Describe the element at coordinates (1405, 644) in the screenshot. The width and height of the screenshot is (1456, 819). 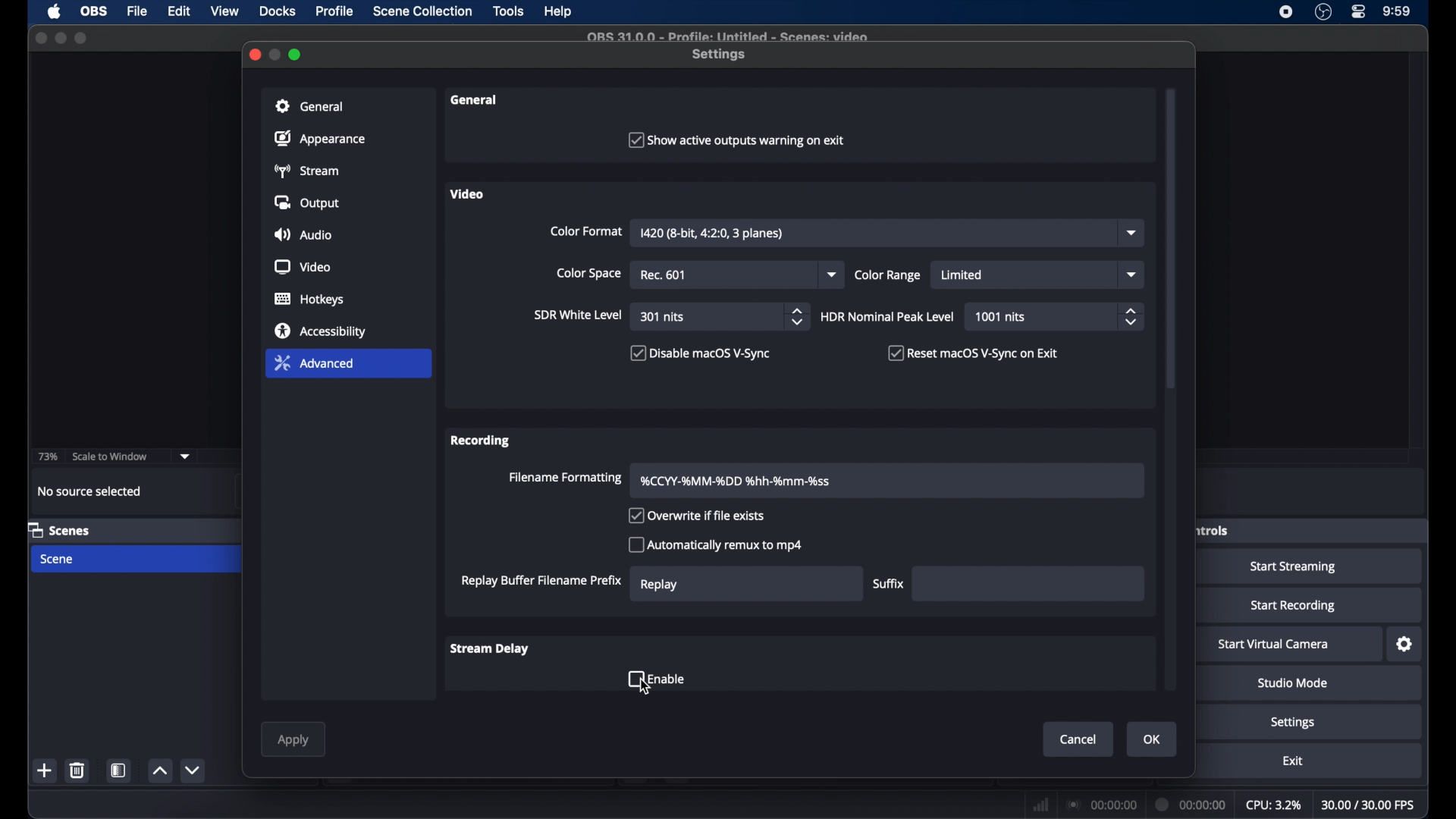
I see `settings` at that location.